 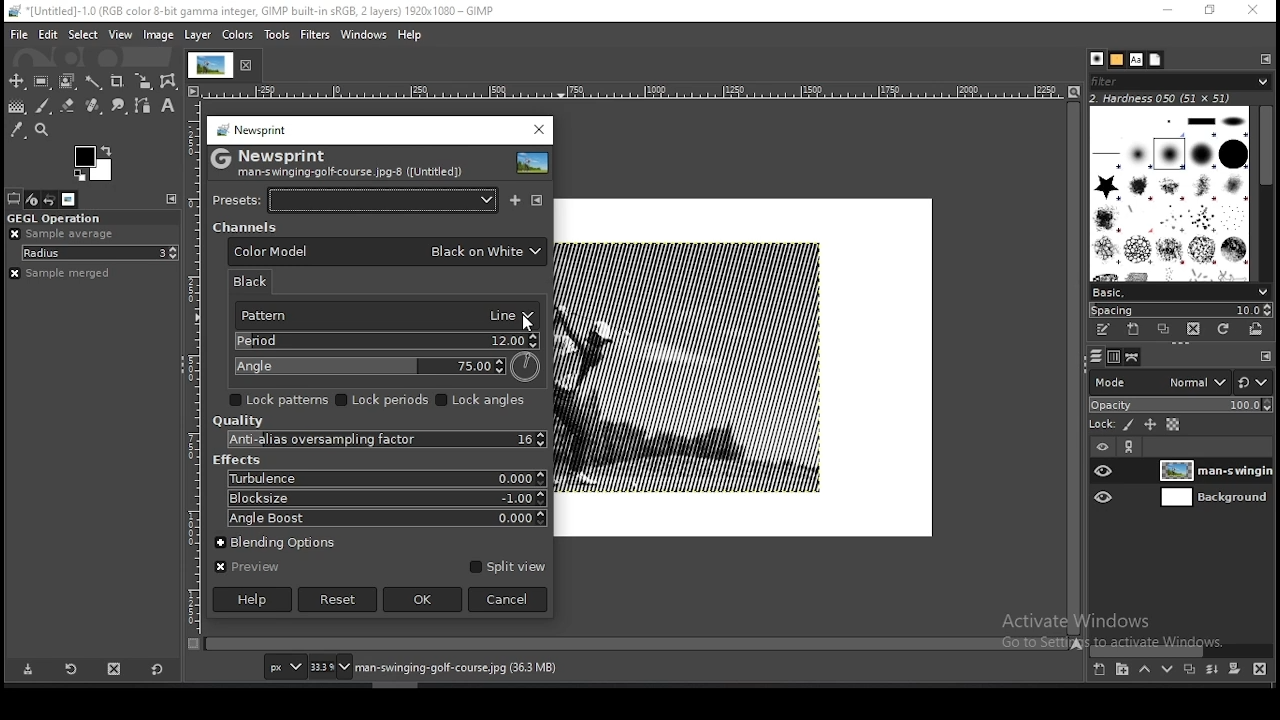 I want to click on delete brush, so click(x=1193, y=329).